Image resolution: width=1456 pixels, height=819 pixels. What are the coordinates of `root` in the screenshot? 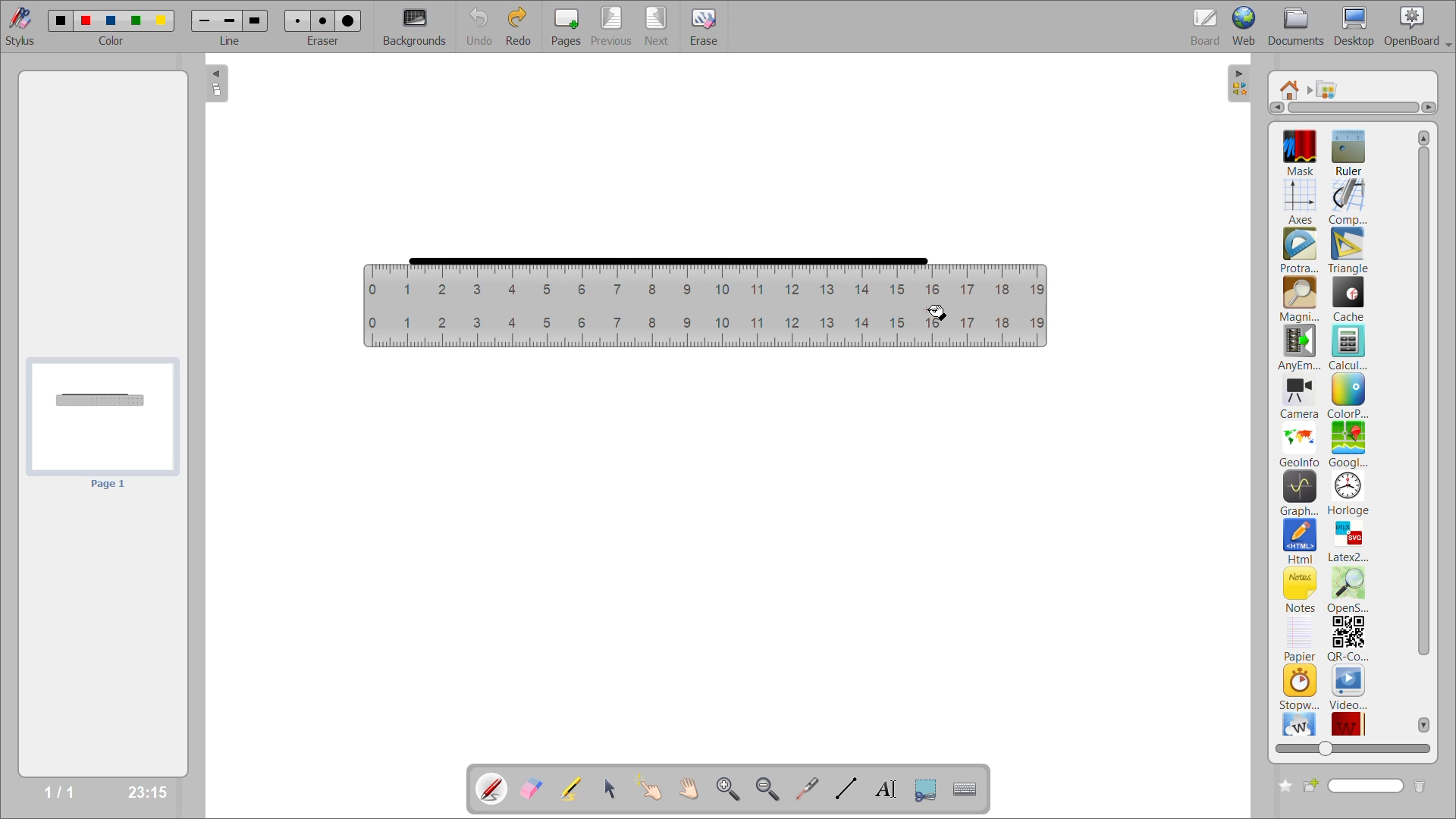 It's located at (1291, 89).